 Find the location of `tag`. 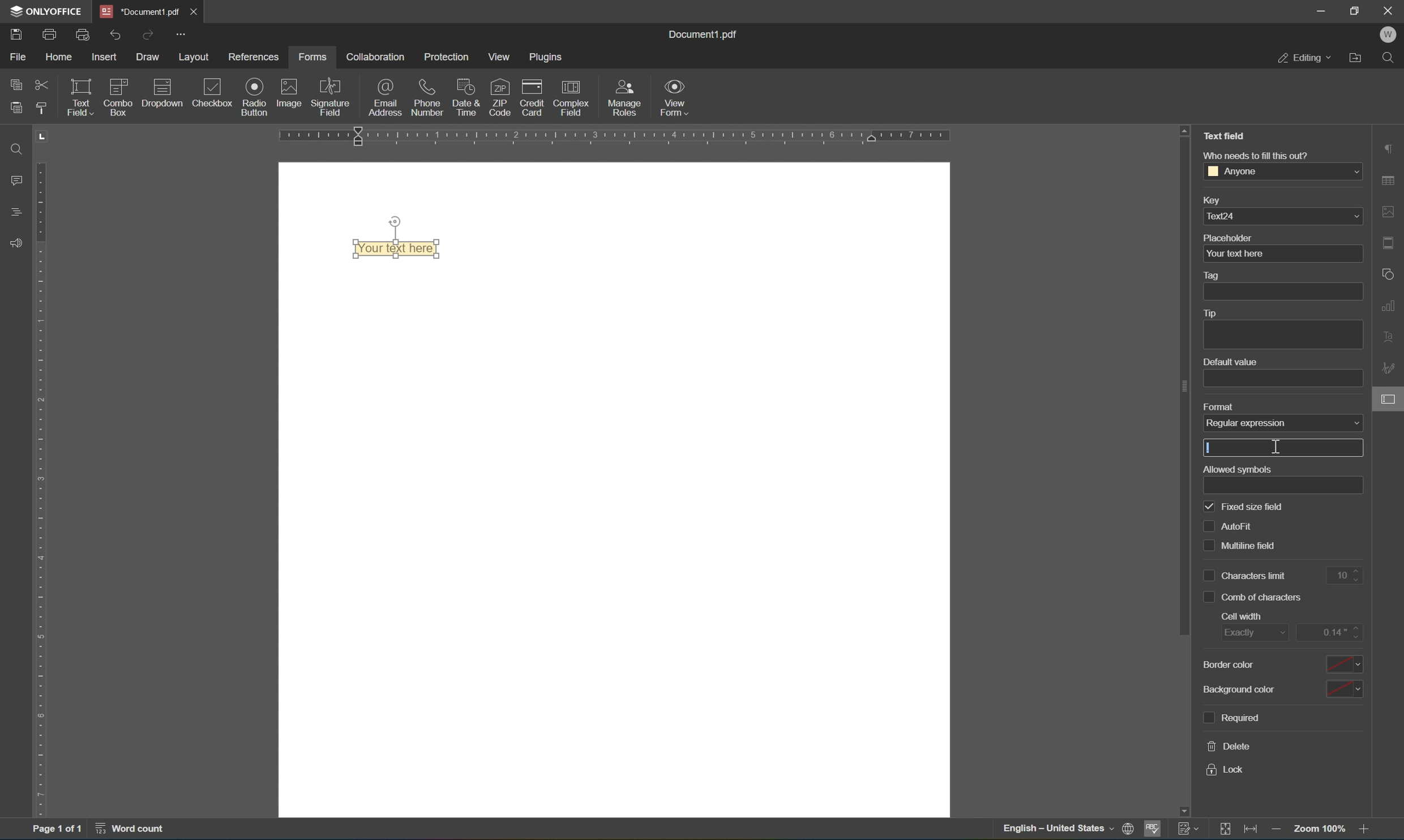

tag is located at coordinates (1214, 276).